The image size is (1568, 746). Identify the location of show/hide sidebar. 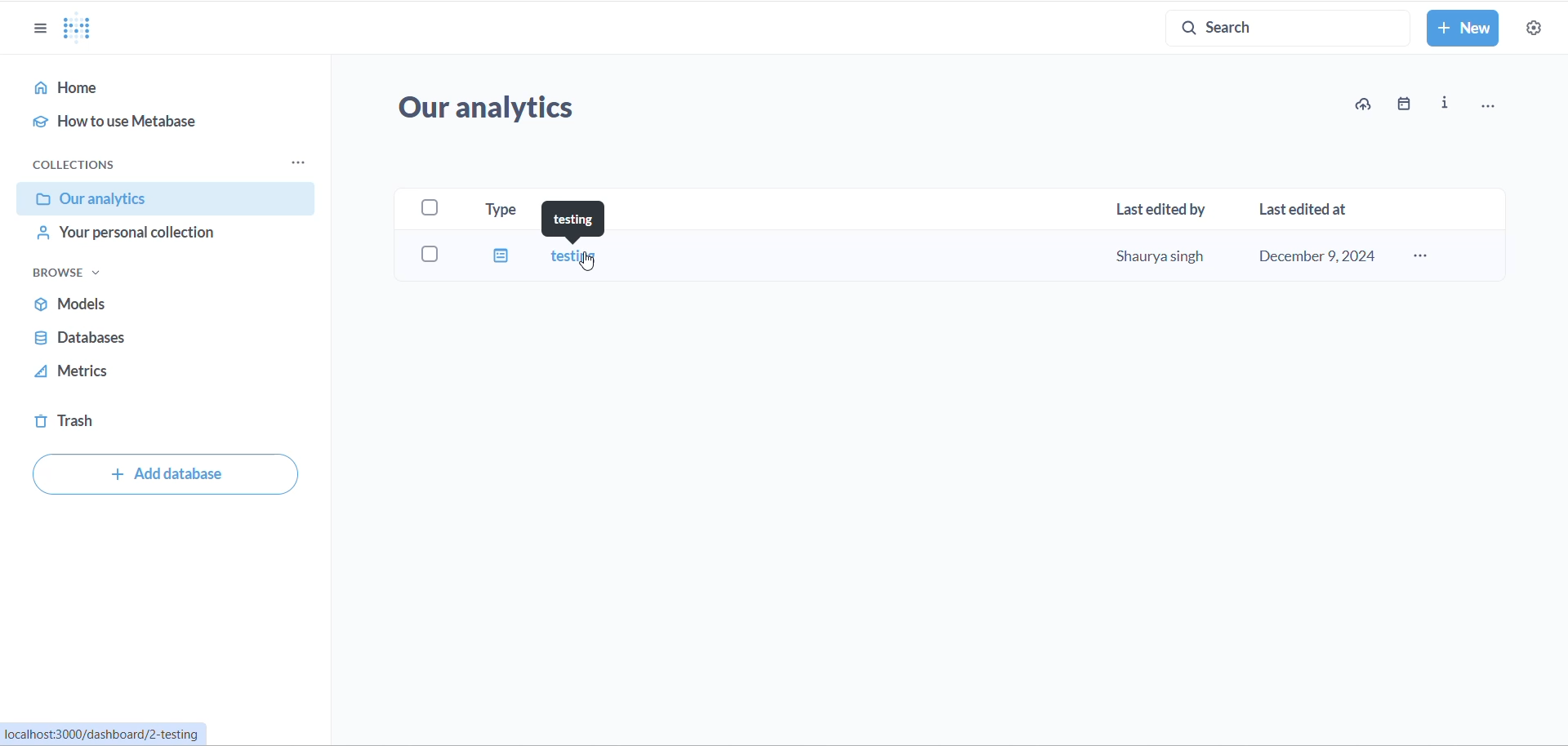
(29, 23).